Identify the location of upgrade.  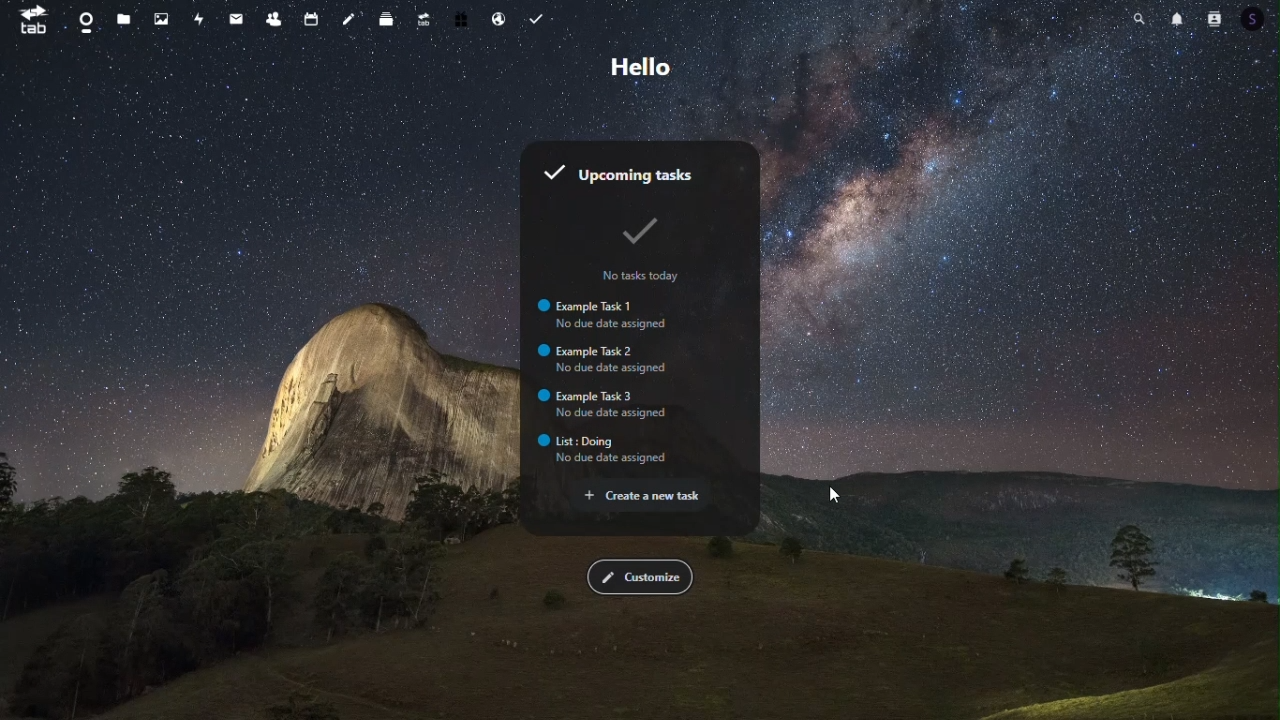
(424, 23).